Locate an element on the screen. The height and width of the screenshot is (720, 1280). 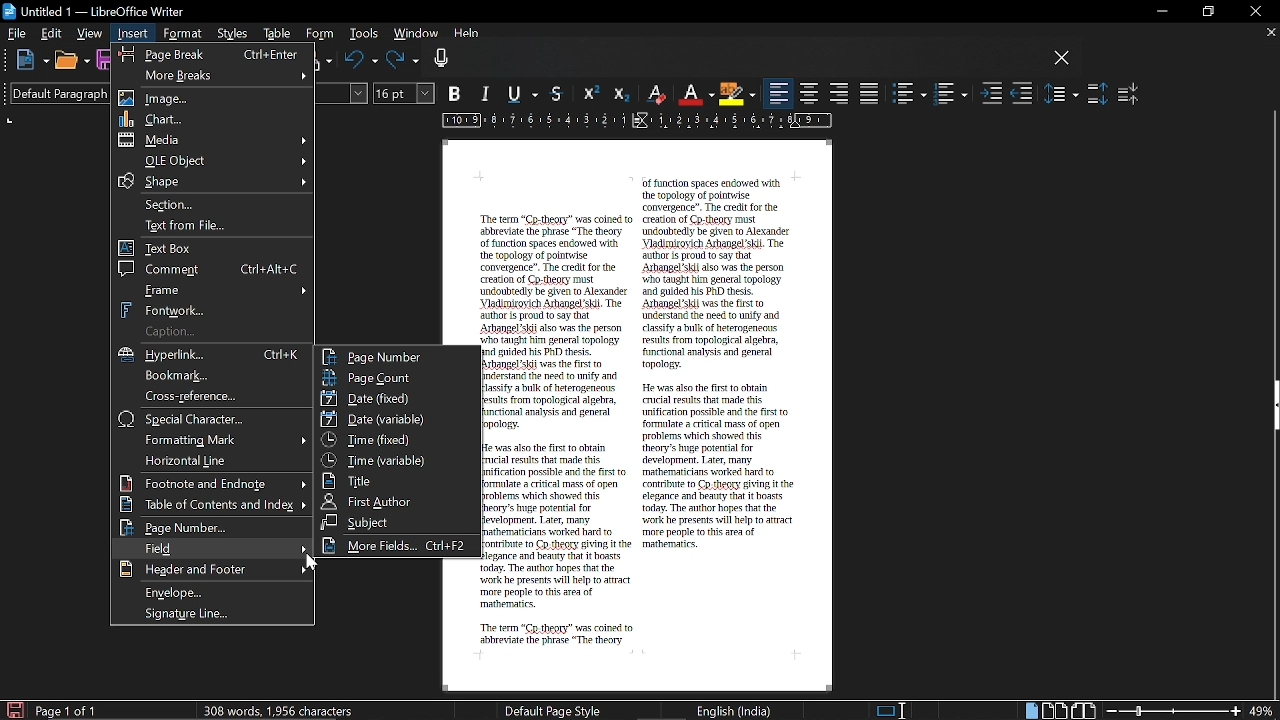
Find is located at coordinates (209, 548).